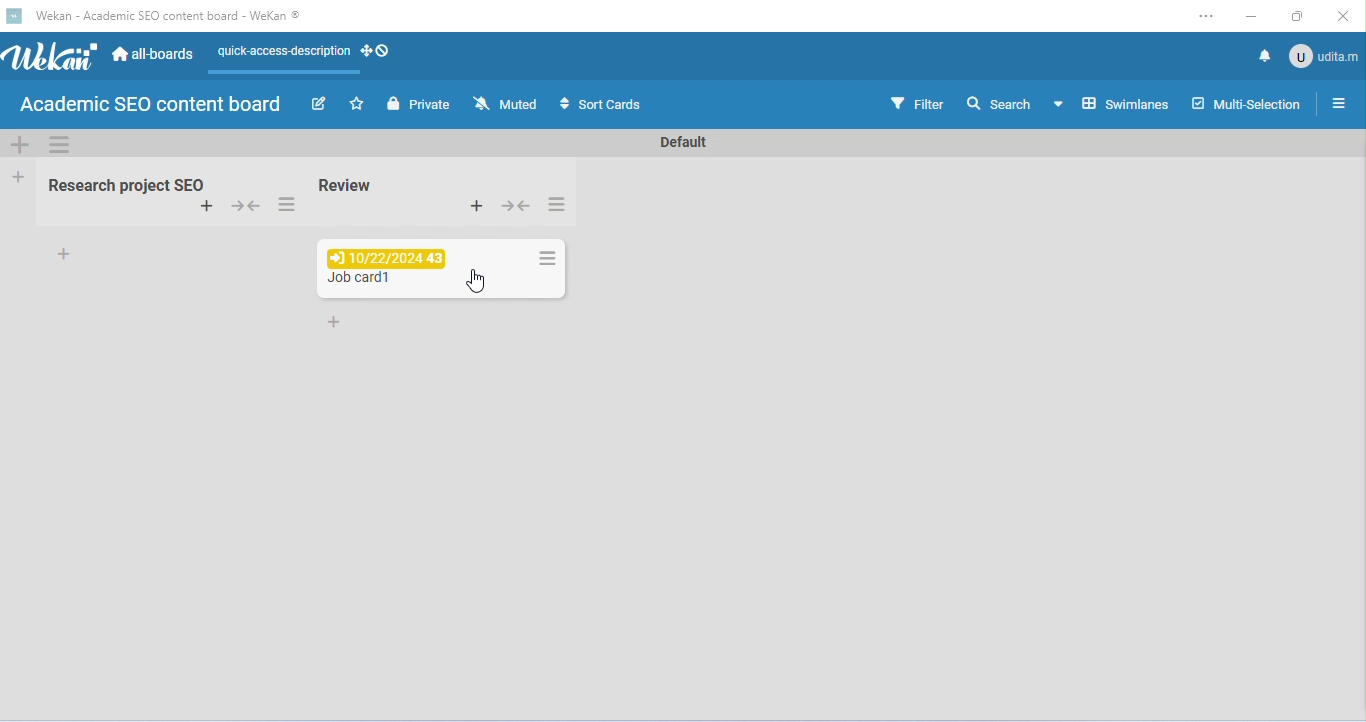 The image size is (1366, 722). What do you see at coordinates (557, 204) in the screenshot?
I see `list actions` at bounding box center [557, 204].